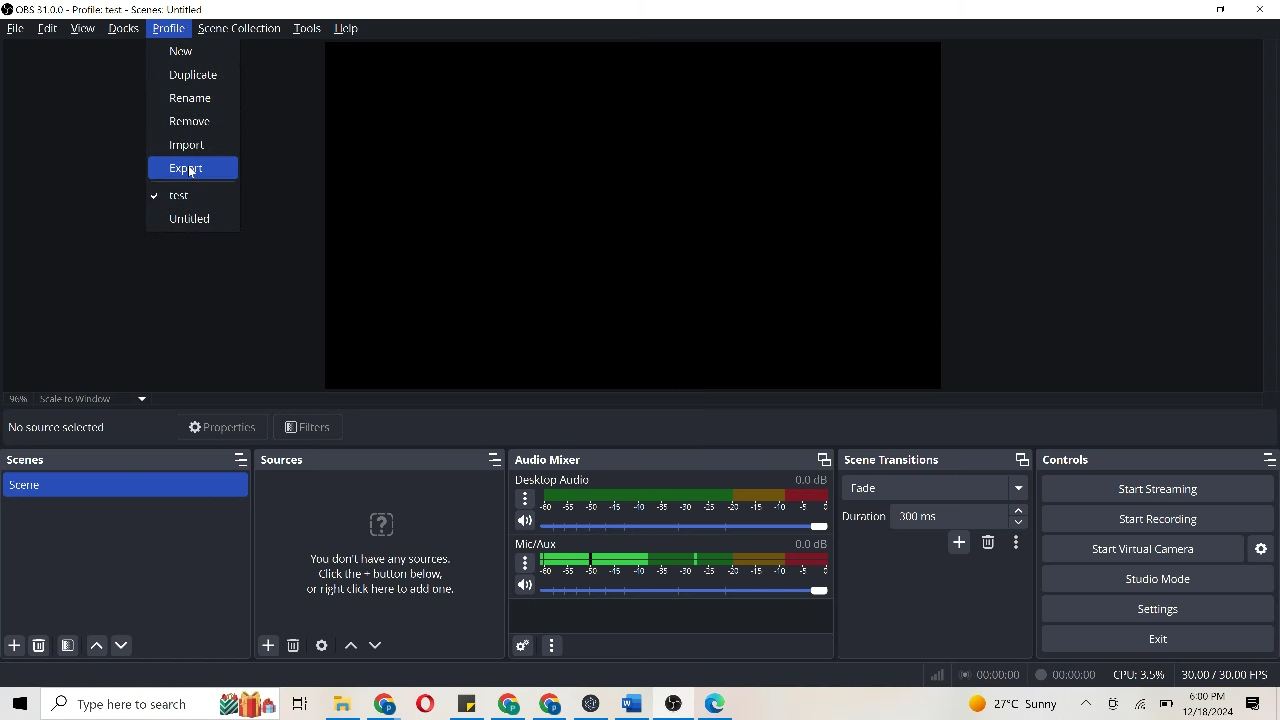 This screenshot has height=720, width=1280. What do you see at coordinates (20, 704) in the screenshot?
I see `window icon` at bounding box center [20, 704].